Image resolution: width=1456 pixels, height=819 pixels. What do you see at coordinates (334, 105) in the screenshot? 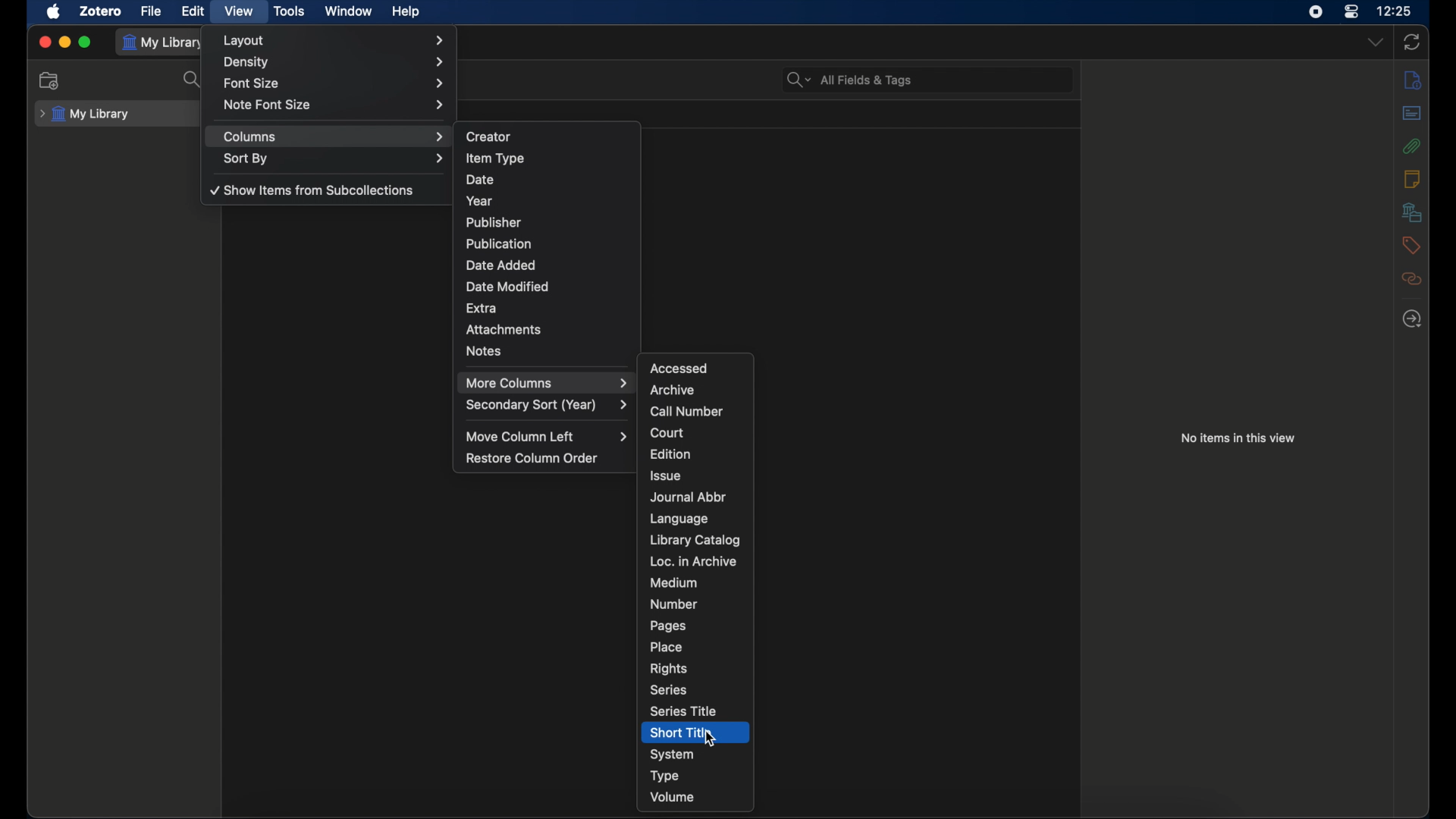
I see `note font size` at bounding box center [334, 105].